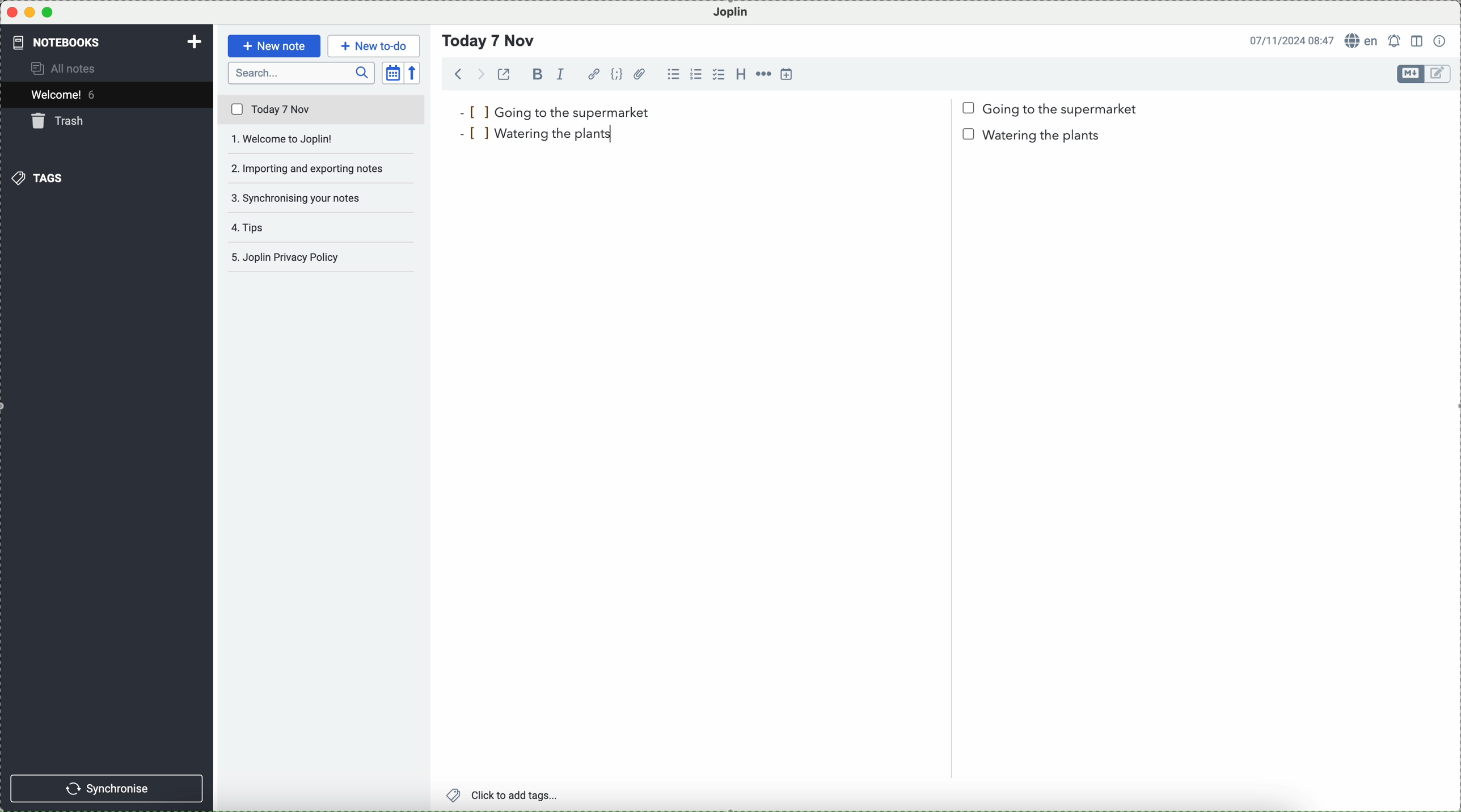 Image resolution: width=1461 pixels, height=812 pixels. I want to click on checkbox, so click(718, 74).